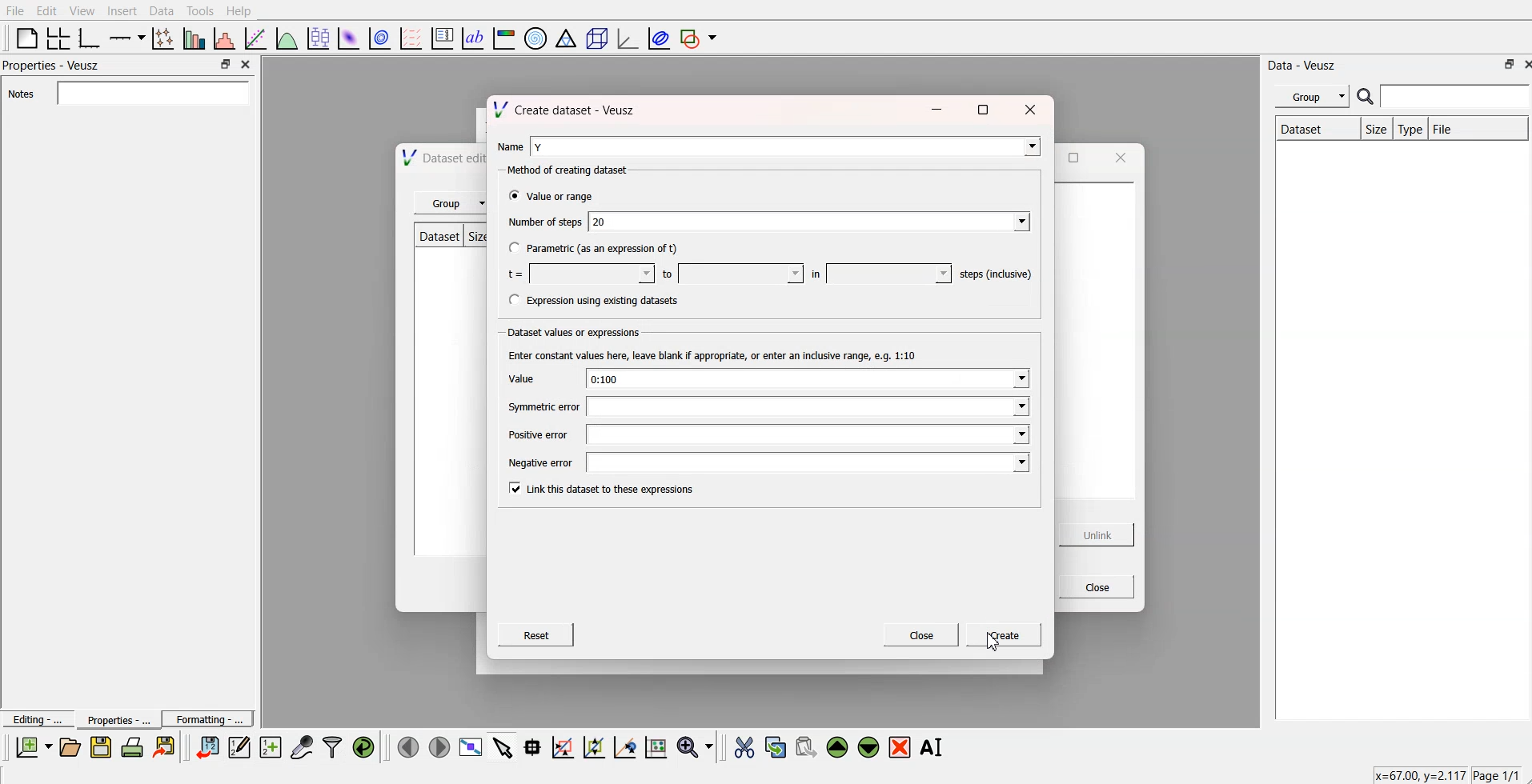 This screenshot has width=1532, height=784. What do you see at coordinates (1439, 774) in the screenshot?
I see `x=67.00 , y=2.117 page 1/1` at bounding box center [1439, 774].